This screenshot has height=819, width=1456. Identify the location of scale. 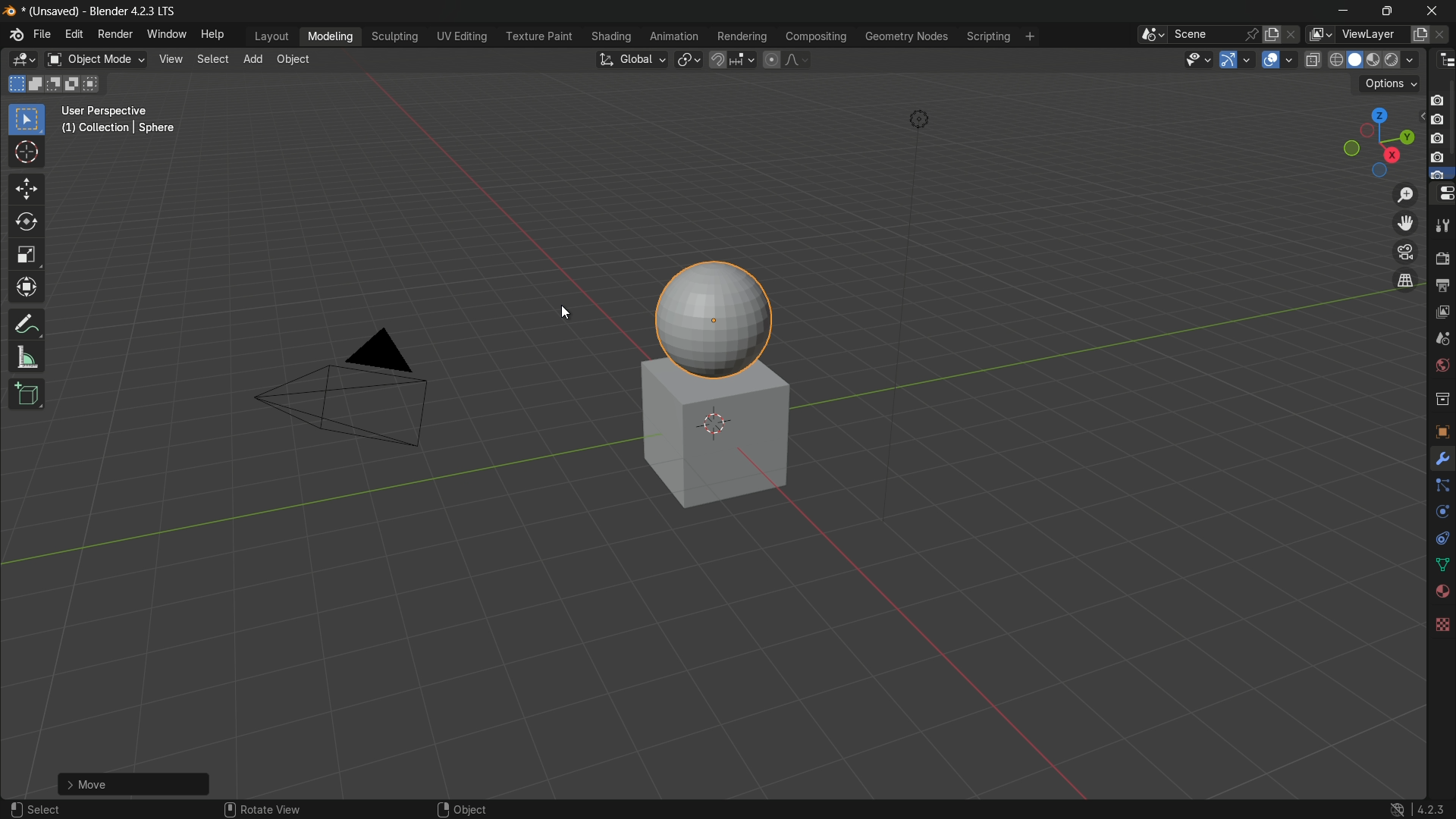
(28, 256).